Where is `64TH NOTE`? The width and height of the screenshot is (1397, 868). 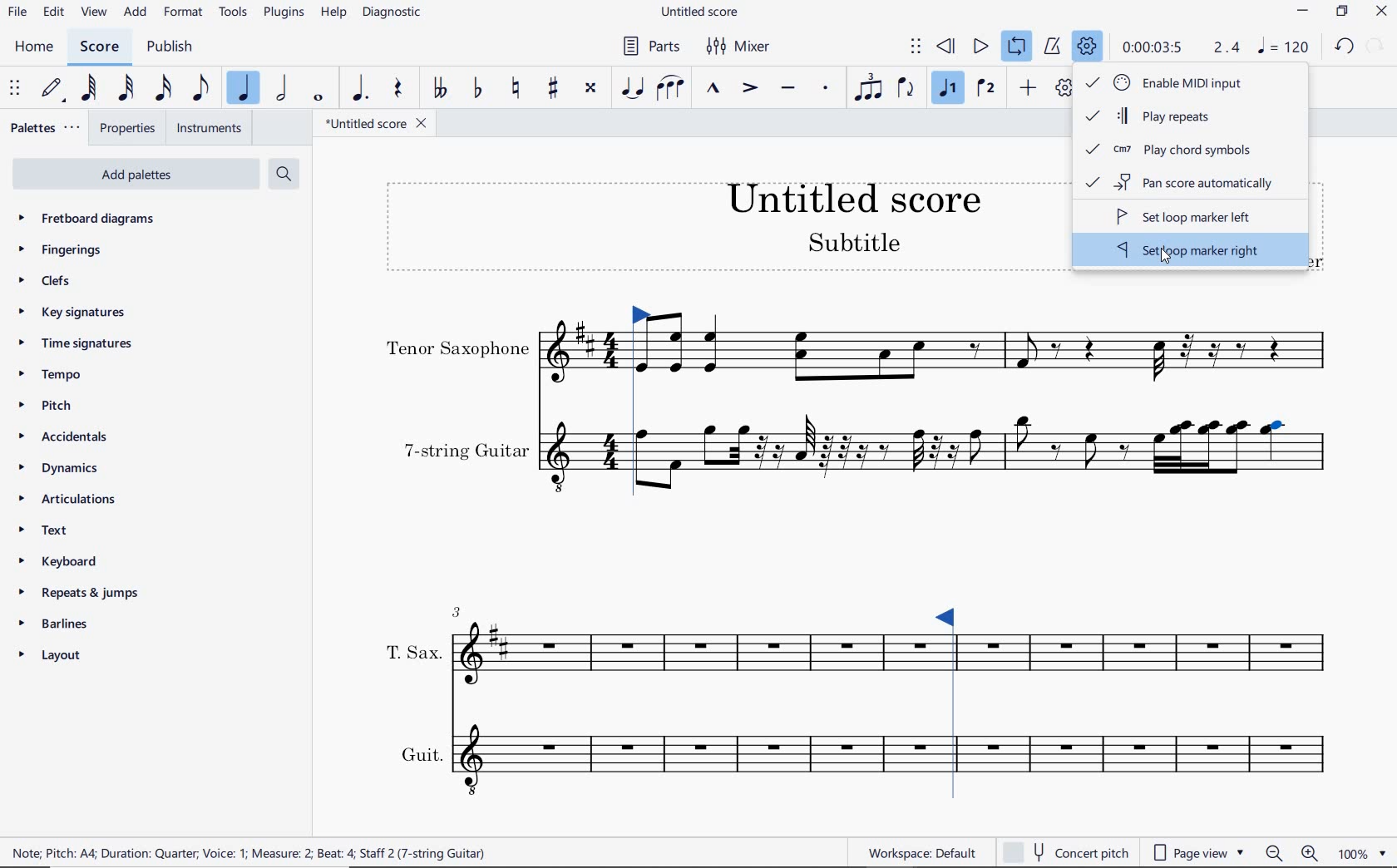
64TH NOTE is located at coordinates (88, 87).